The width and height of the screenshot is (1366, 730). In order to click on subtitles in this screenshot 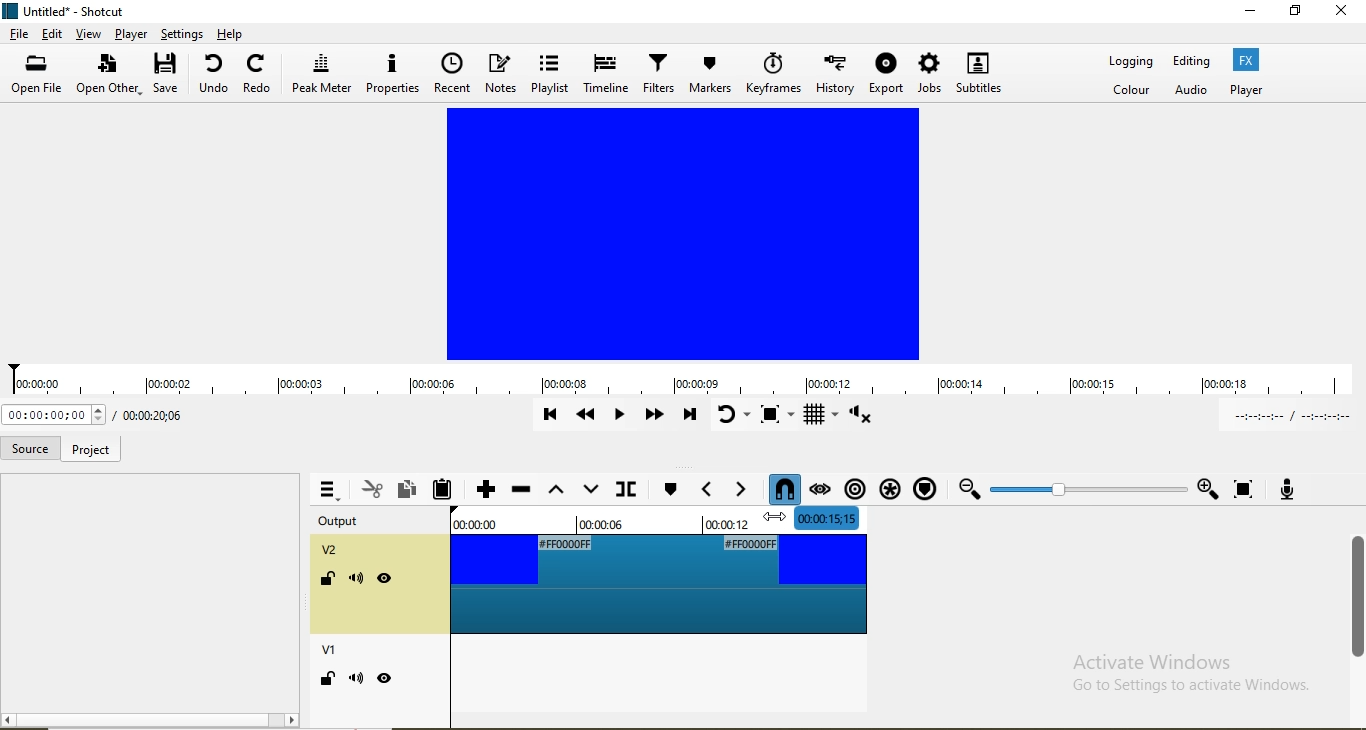, I will do `click(978, 72)`.